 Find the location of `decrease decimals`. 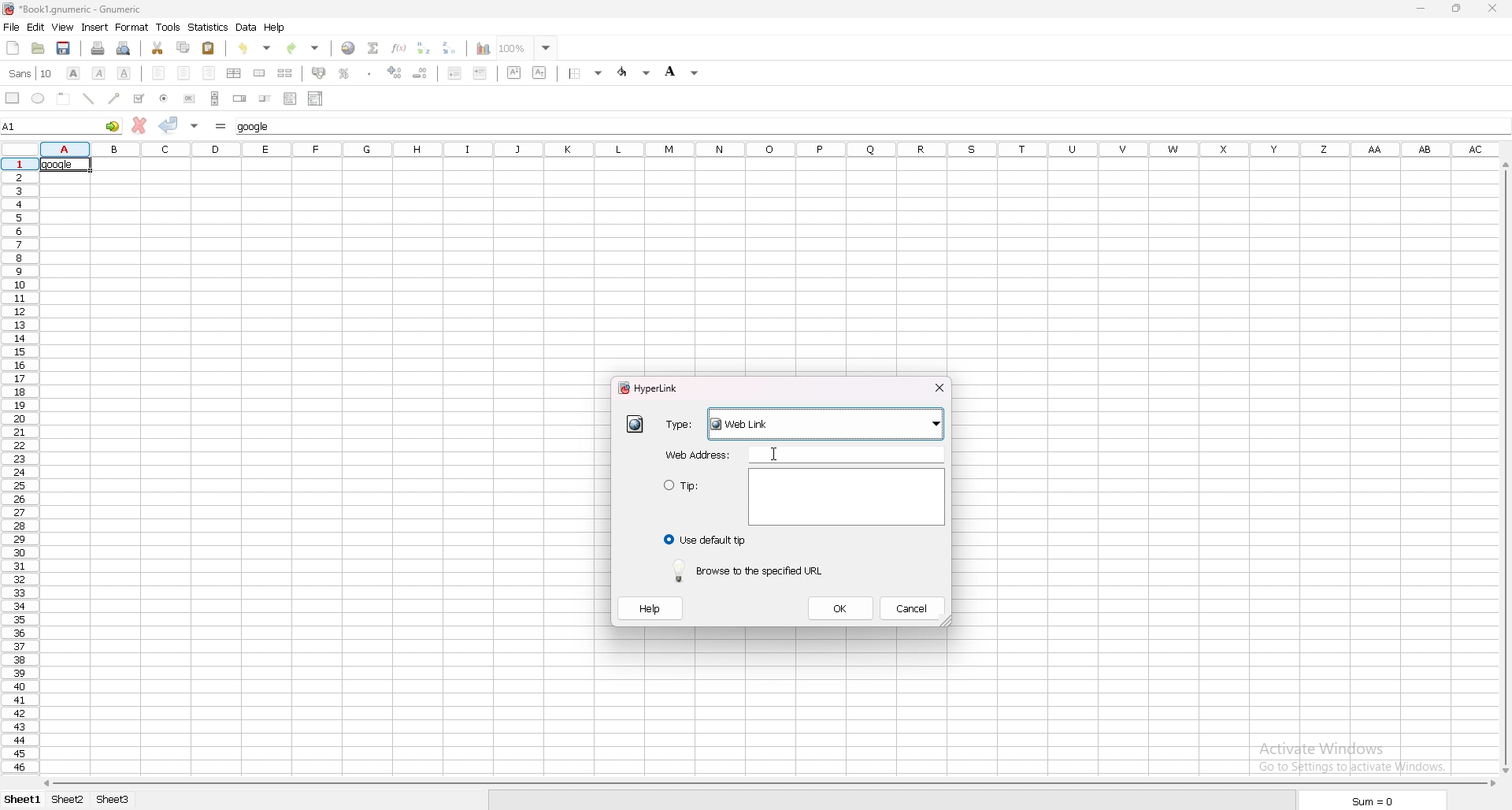

decrease decimals is located at coordinates (421, 73).